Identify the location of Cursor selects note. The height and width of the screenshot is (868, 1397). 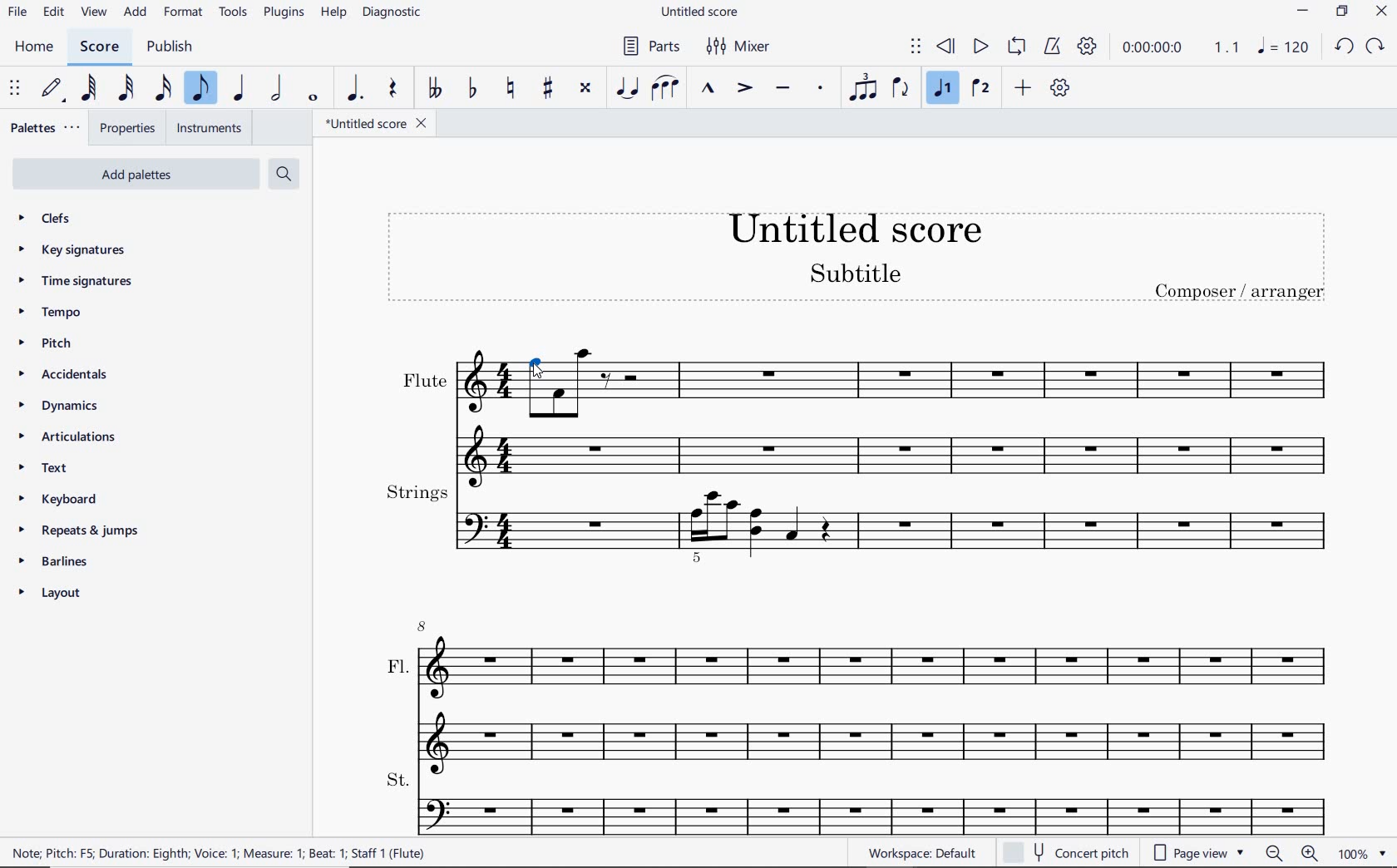
(539, 367).